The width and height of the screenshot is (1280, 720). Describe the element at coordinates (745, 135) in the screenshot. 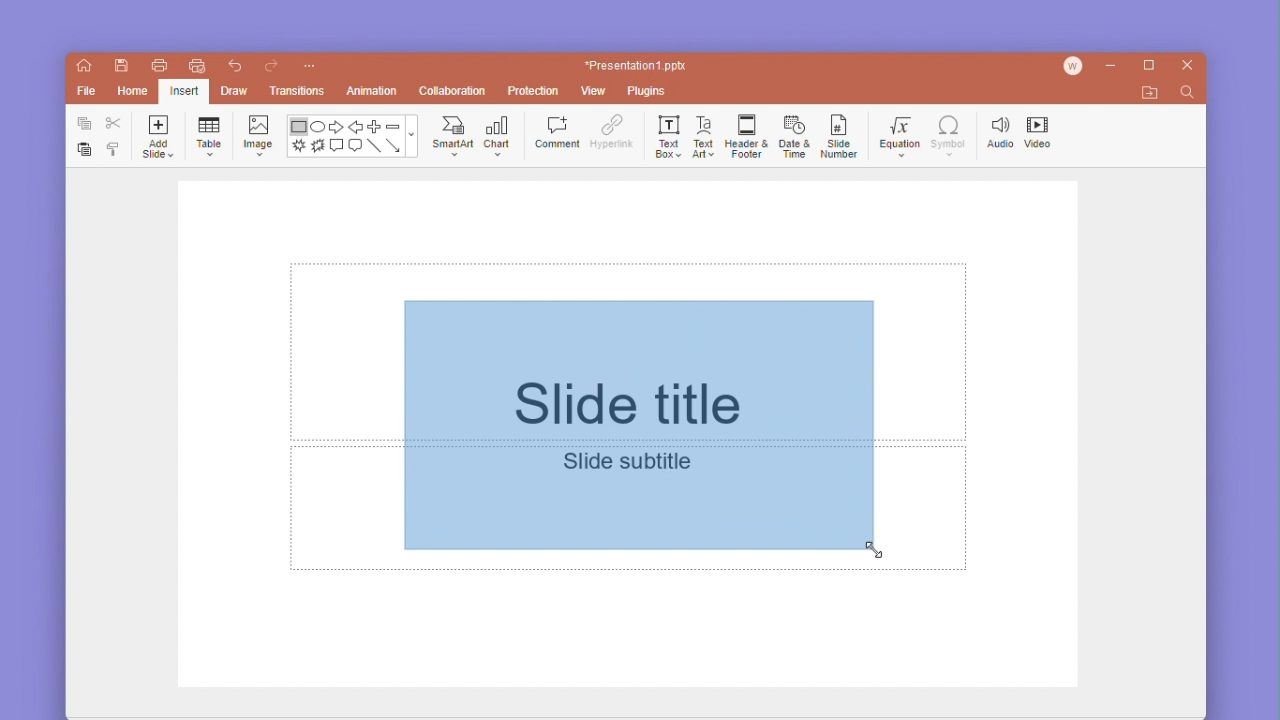

I see `header & footer` at that location.